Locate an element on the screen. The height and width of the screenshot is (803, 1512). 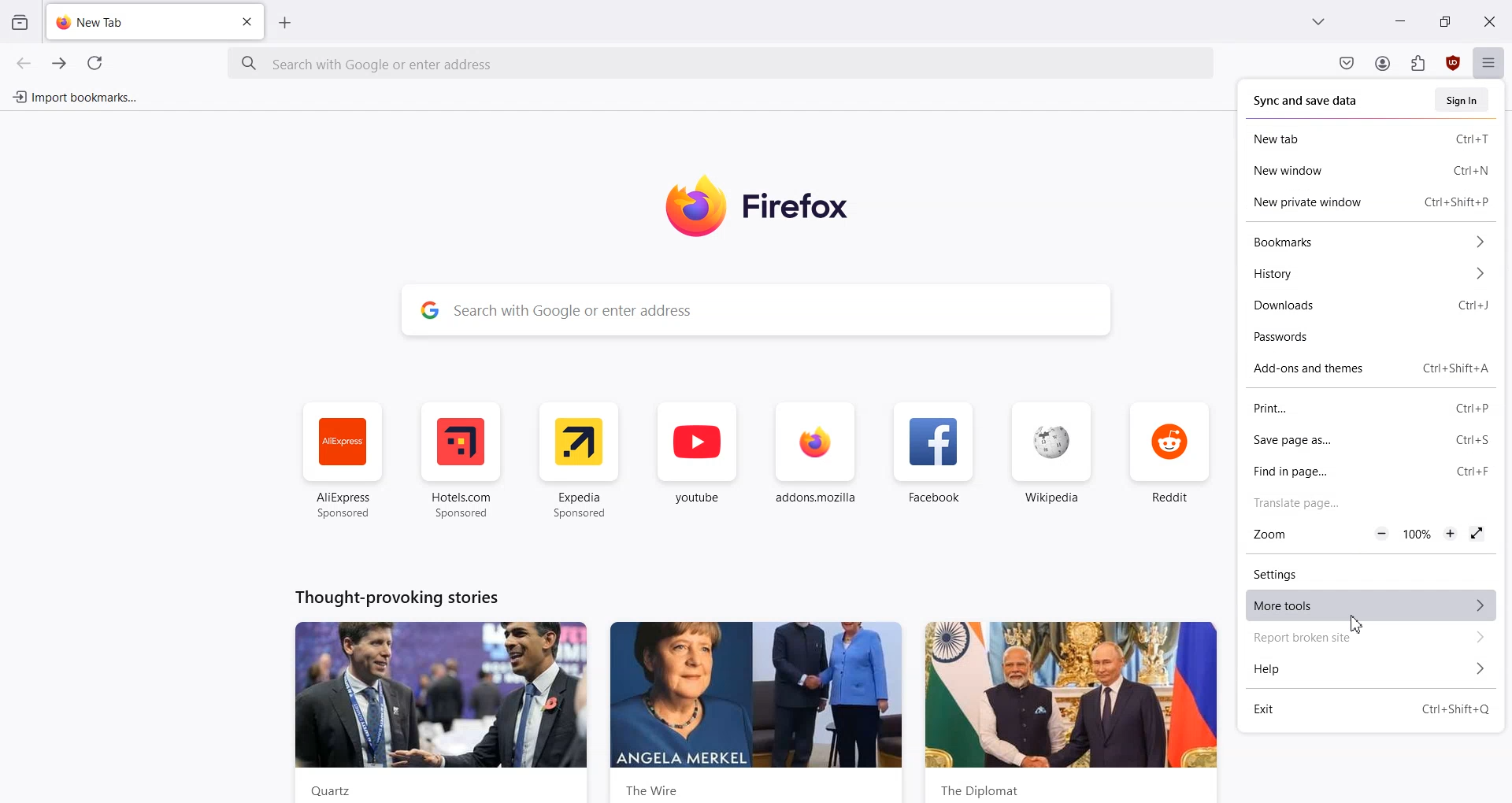
Shortcut key is located at coordinates (1457, 202).